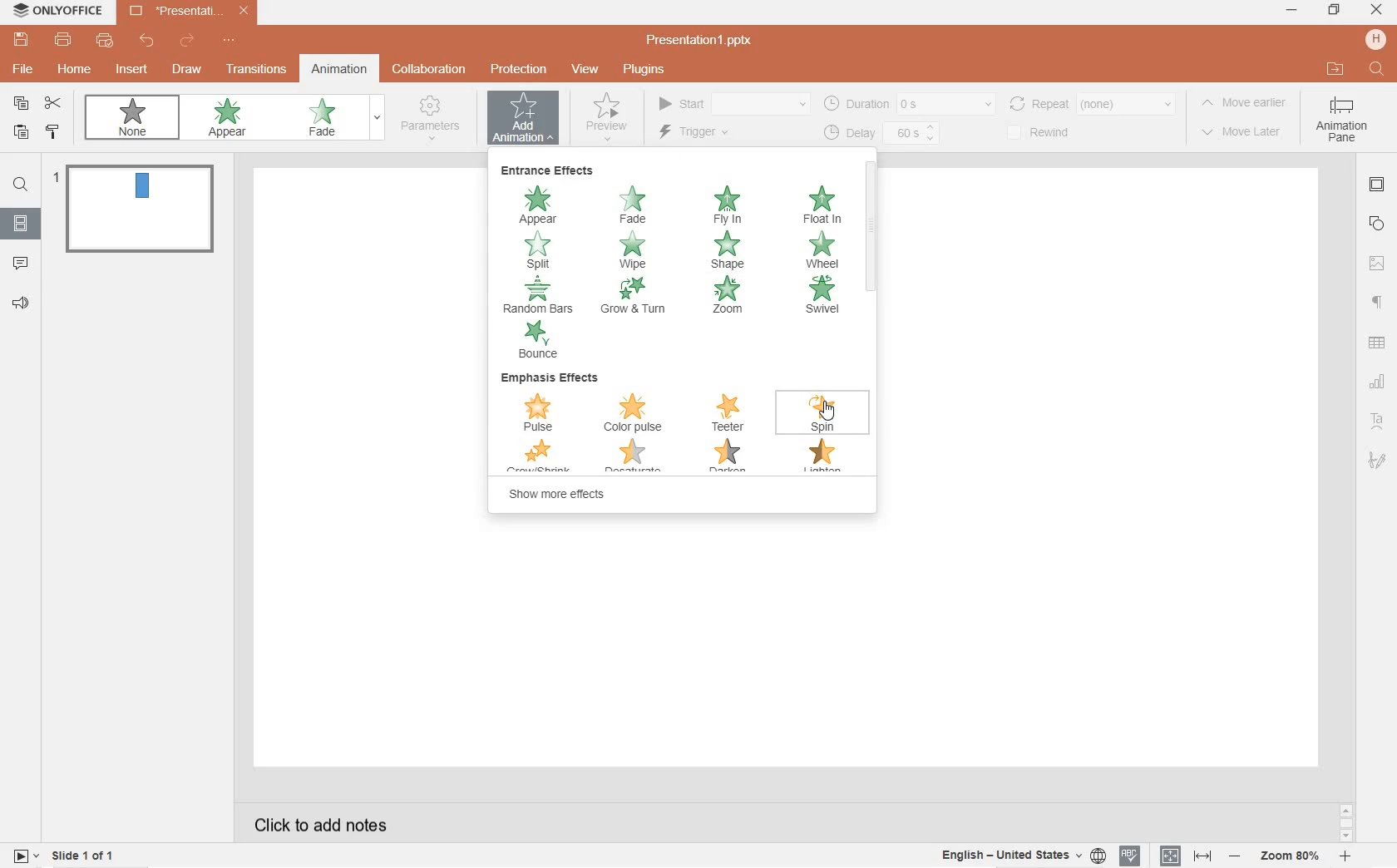 The image size is (1397, 868). I want to click on cut, so click(53, 104).